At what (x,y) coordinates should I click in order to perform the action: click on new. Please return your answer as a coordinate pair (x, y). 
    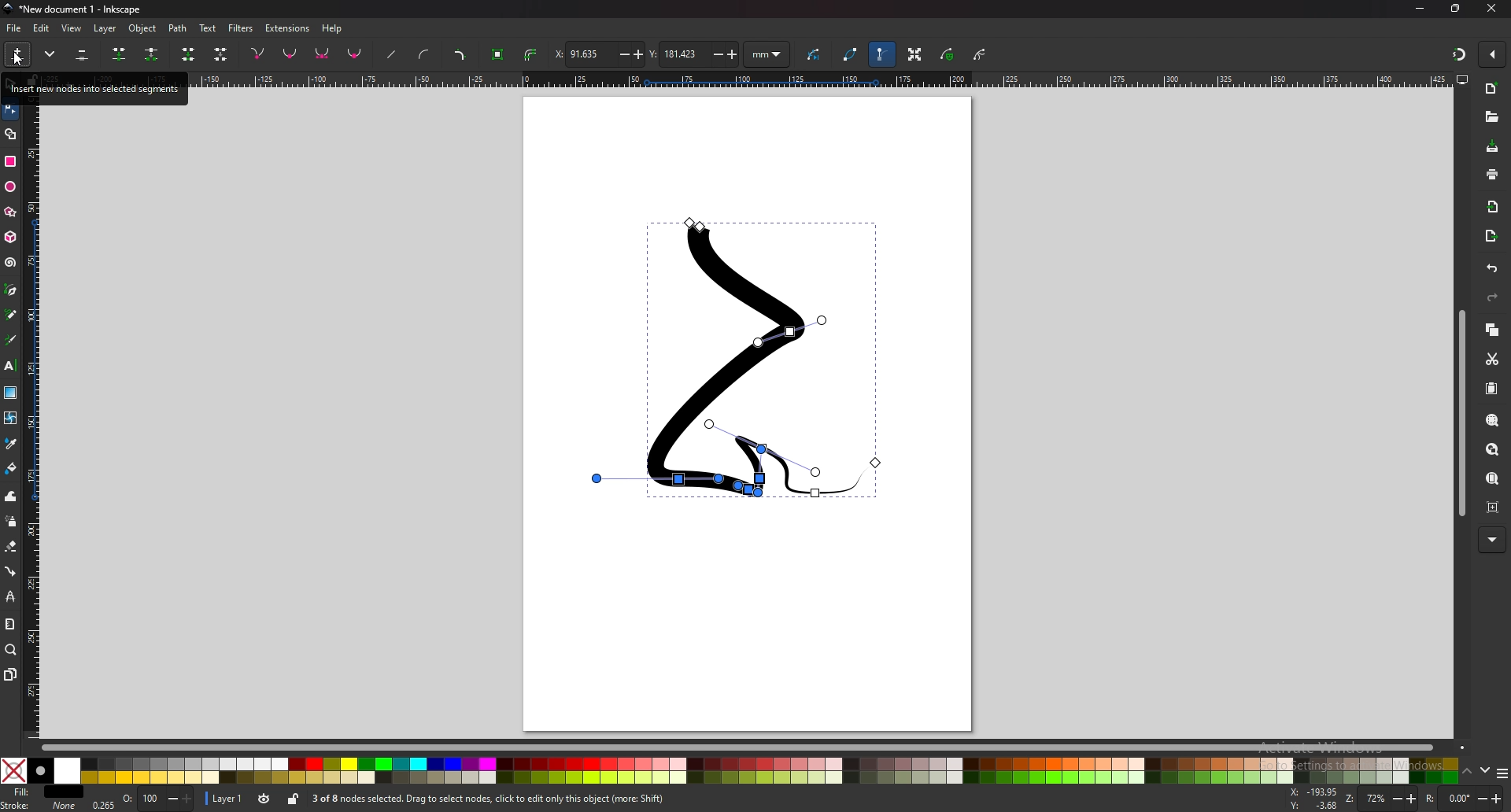
    Looking at the image, I should click on (1492, 90).